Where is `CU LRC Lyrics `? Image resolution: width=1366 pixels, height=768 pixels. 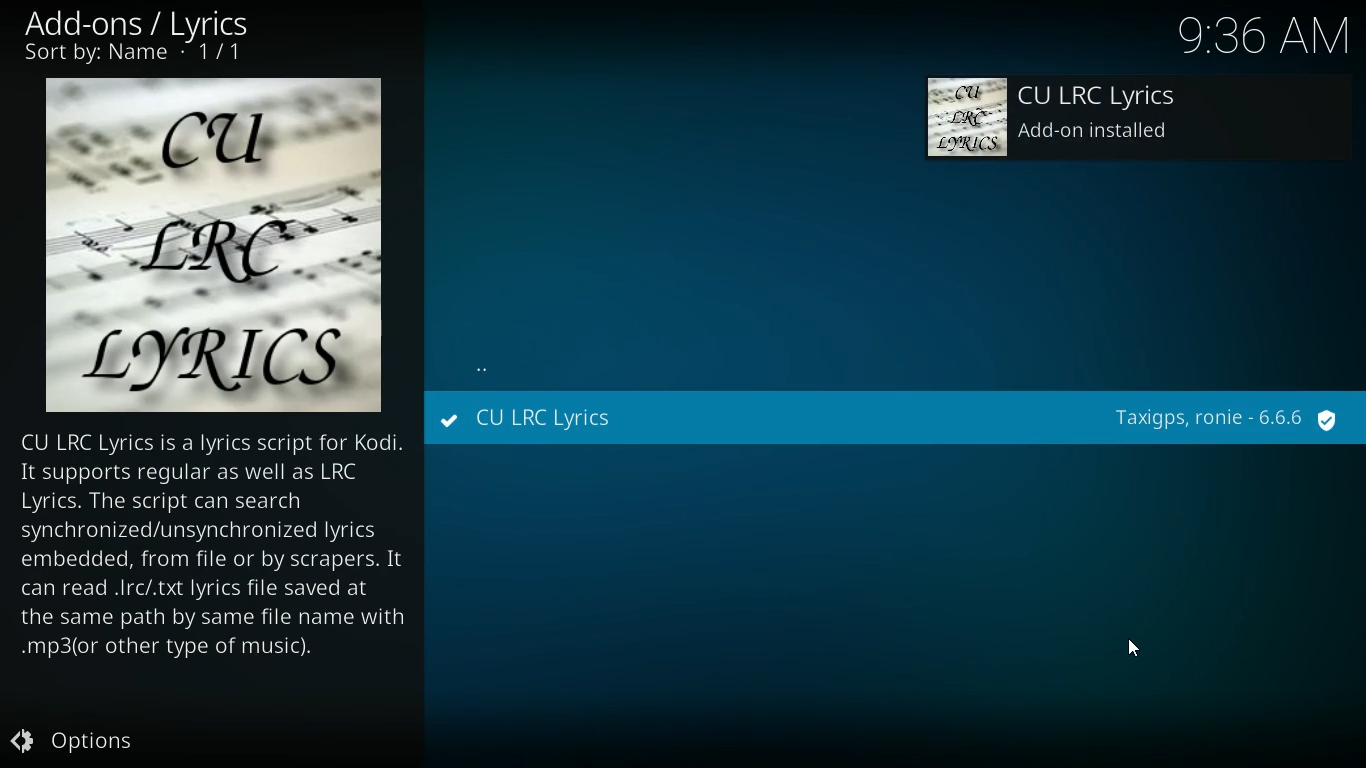
CU LRC Lyrics  is located at coordinates (621, 422).